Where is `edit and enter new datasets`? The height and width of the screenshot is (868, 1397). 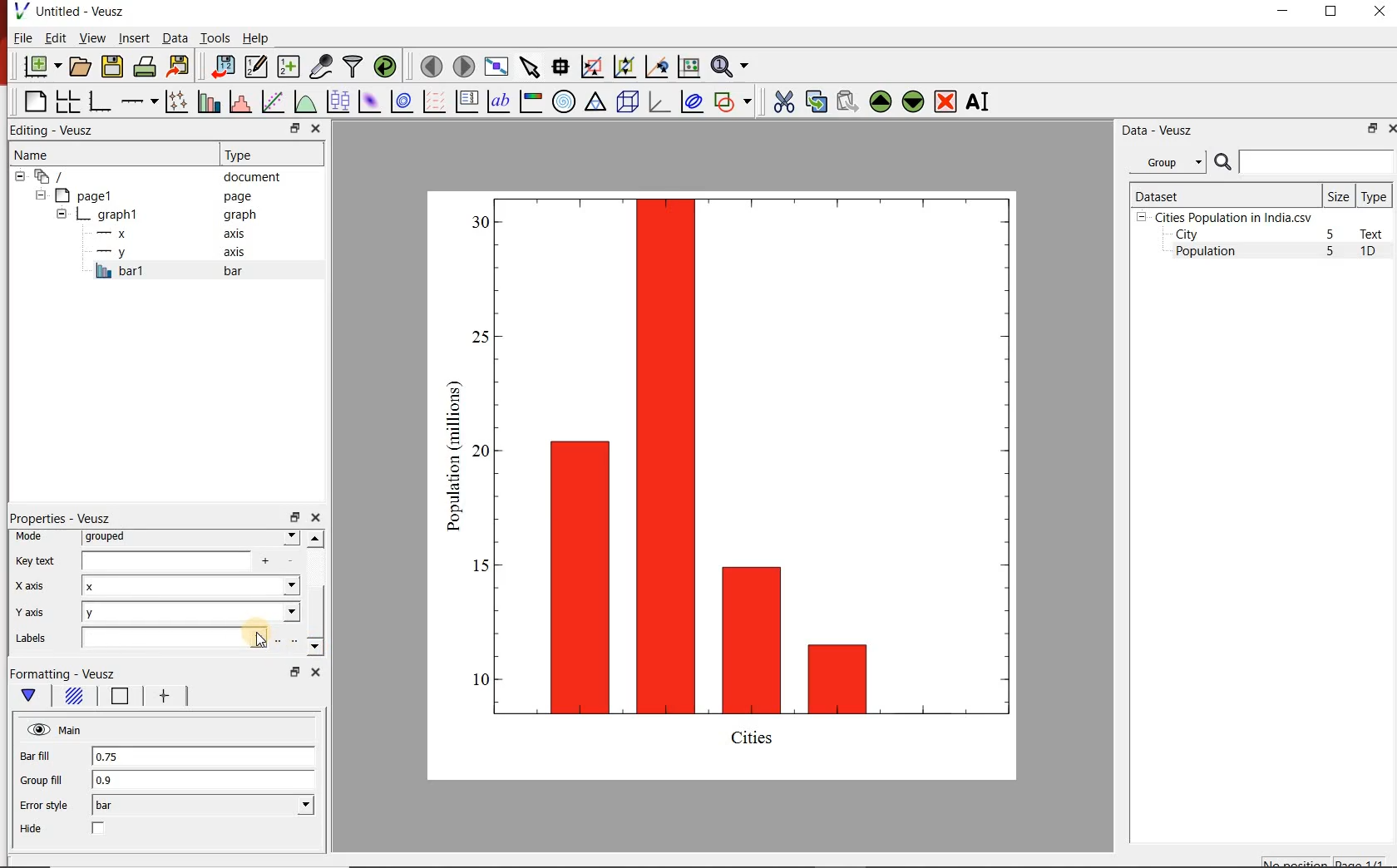 edit and enter new datasets is located at coordinates (254, 67).